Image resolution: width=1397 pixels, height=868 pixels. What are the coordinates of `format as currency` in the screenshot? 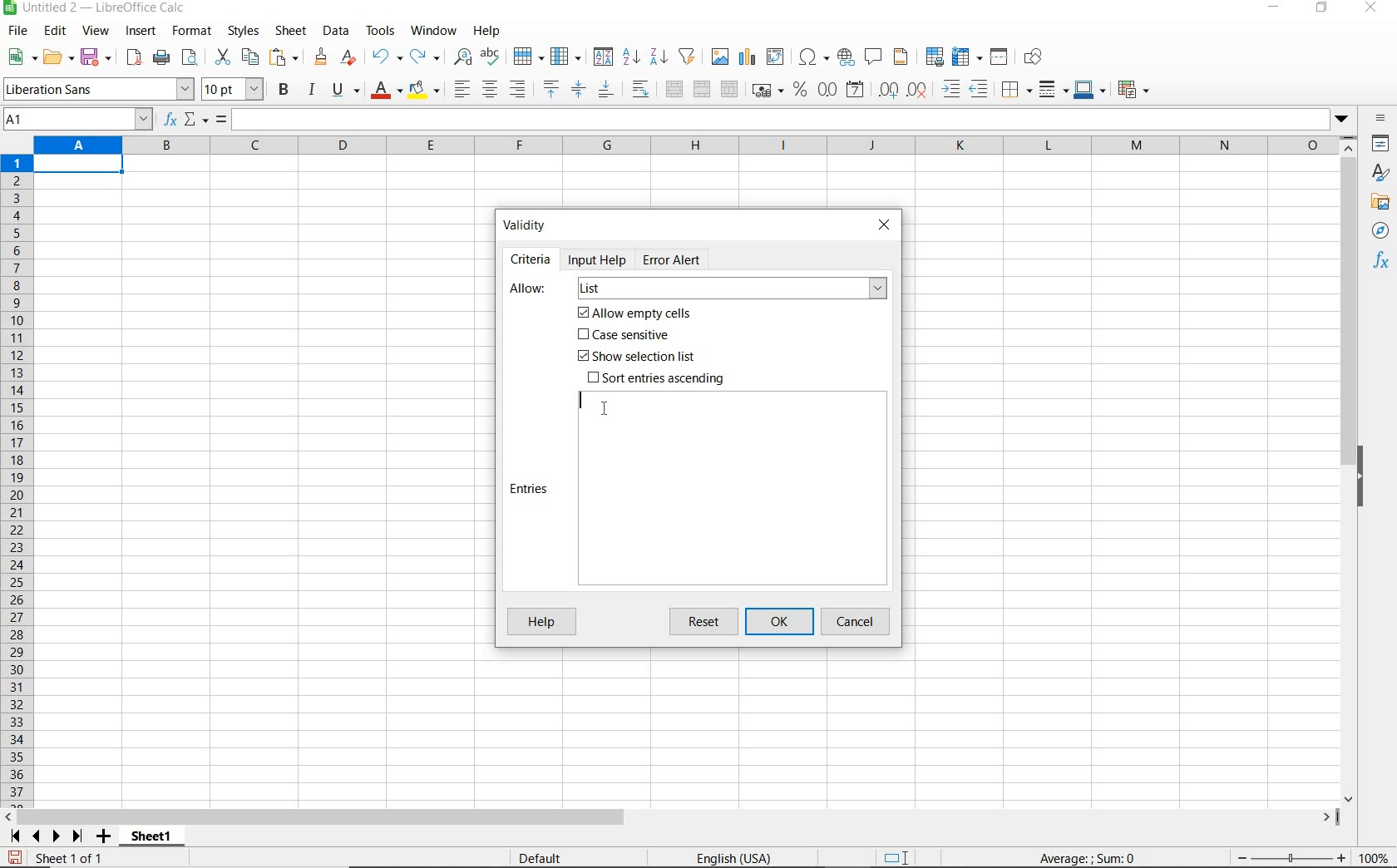 It's located at (767, 88).